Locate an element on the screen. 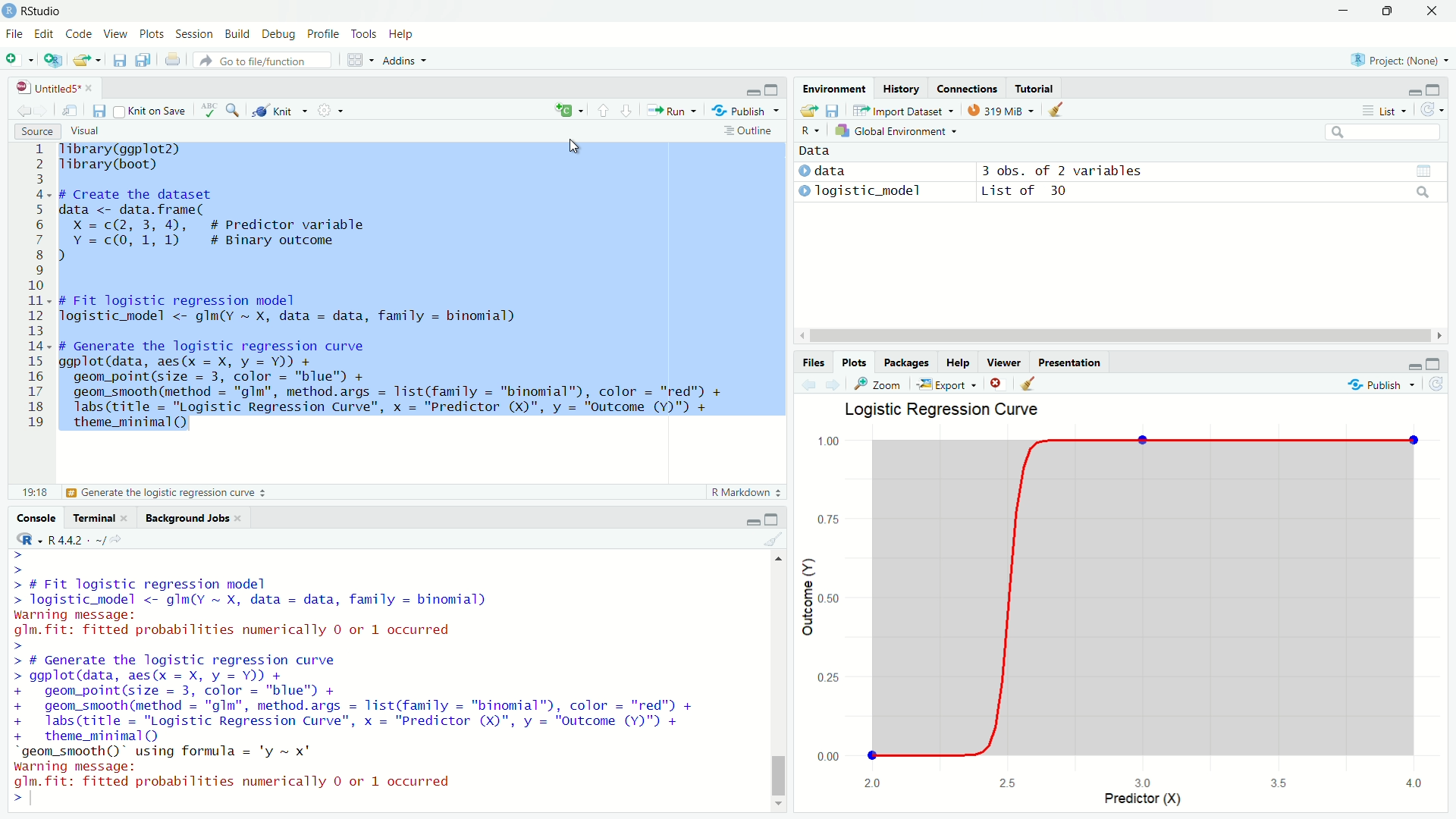 The image size is (1456, 819). File is located at coordinates (15, 33).